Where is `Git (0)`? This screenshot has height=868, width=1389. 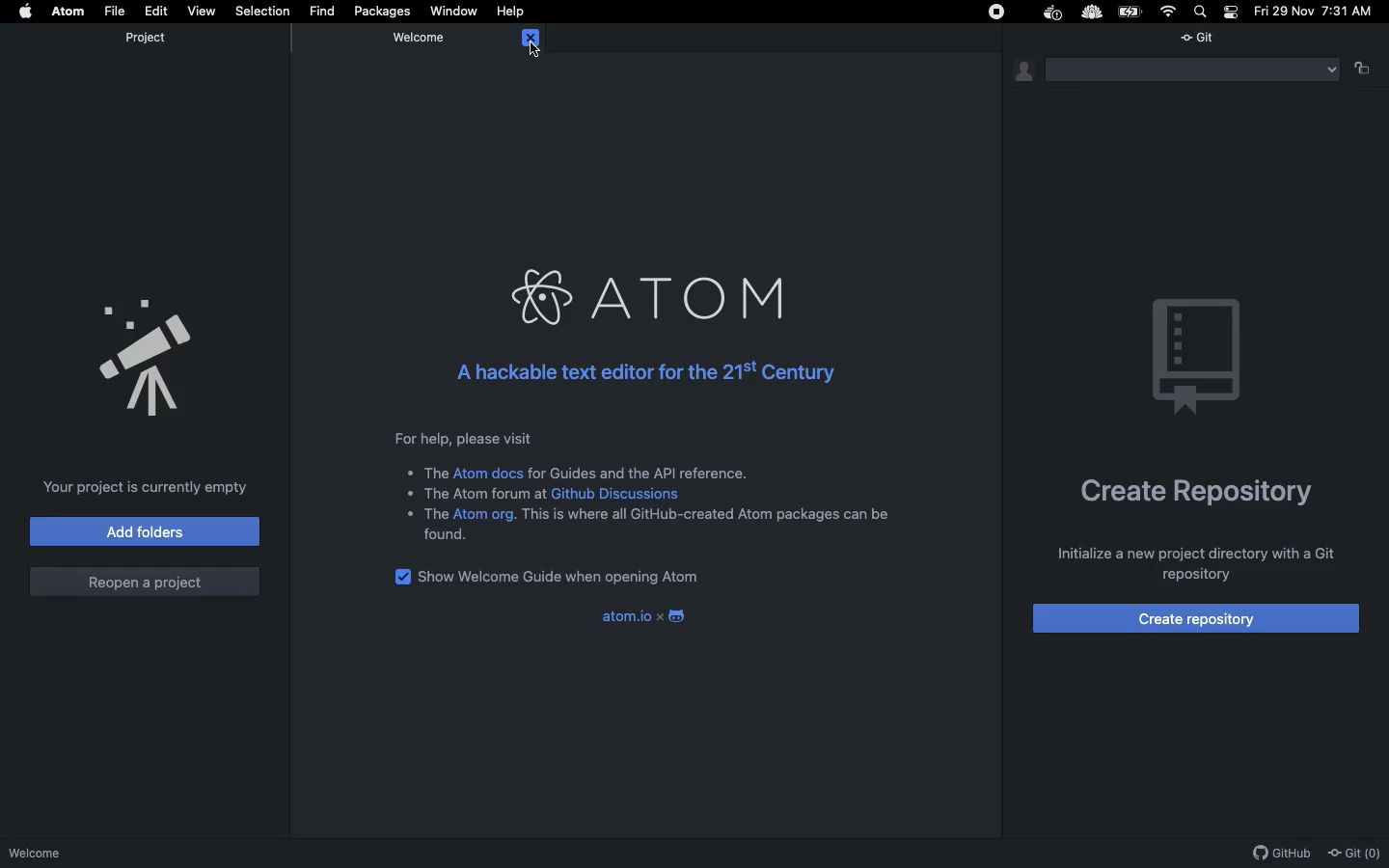
Git (0) is located at coordinates (1356, 853).